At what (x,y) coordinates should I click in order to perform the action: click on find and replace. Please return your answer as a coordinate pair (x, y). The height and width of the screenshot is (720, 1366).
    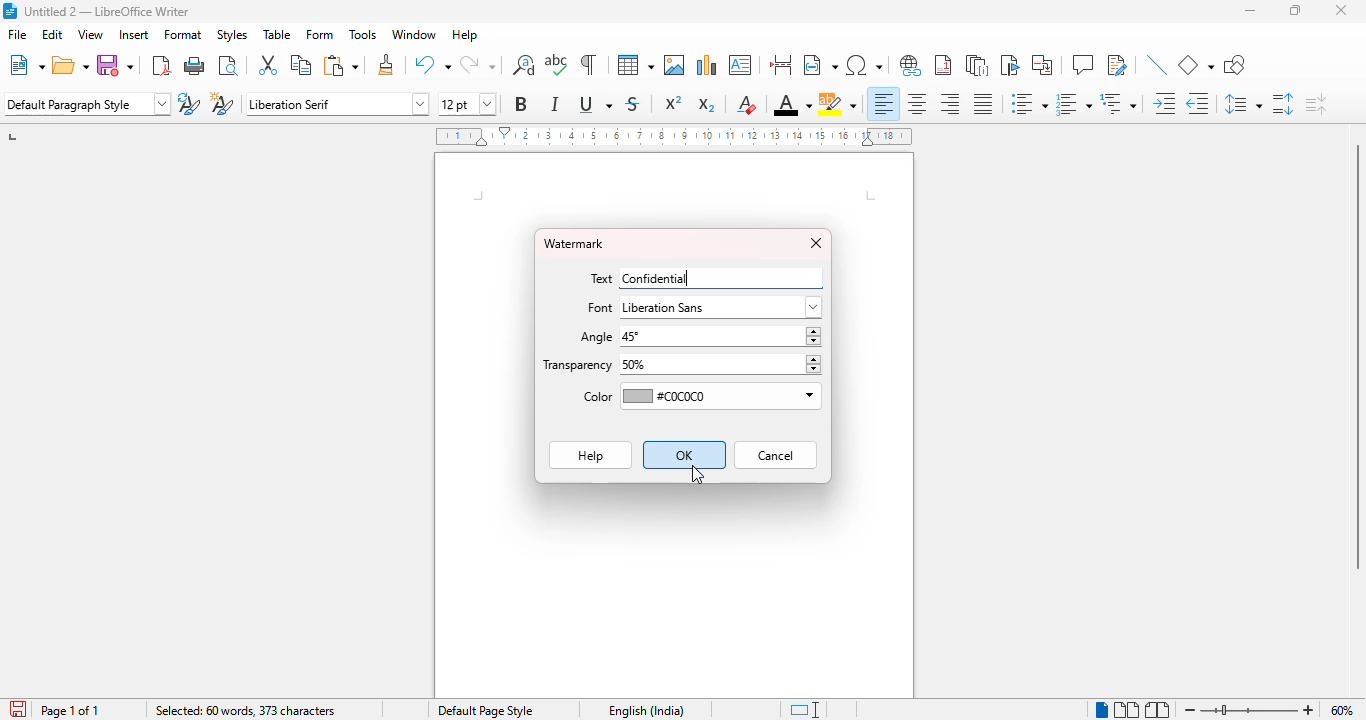
    Looking at the image, I should click on (524, 64).